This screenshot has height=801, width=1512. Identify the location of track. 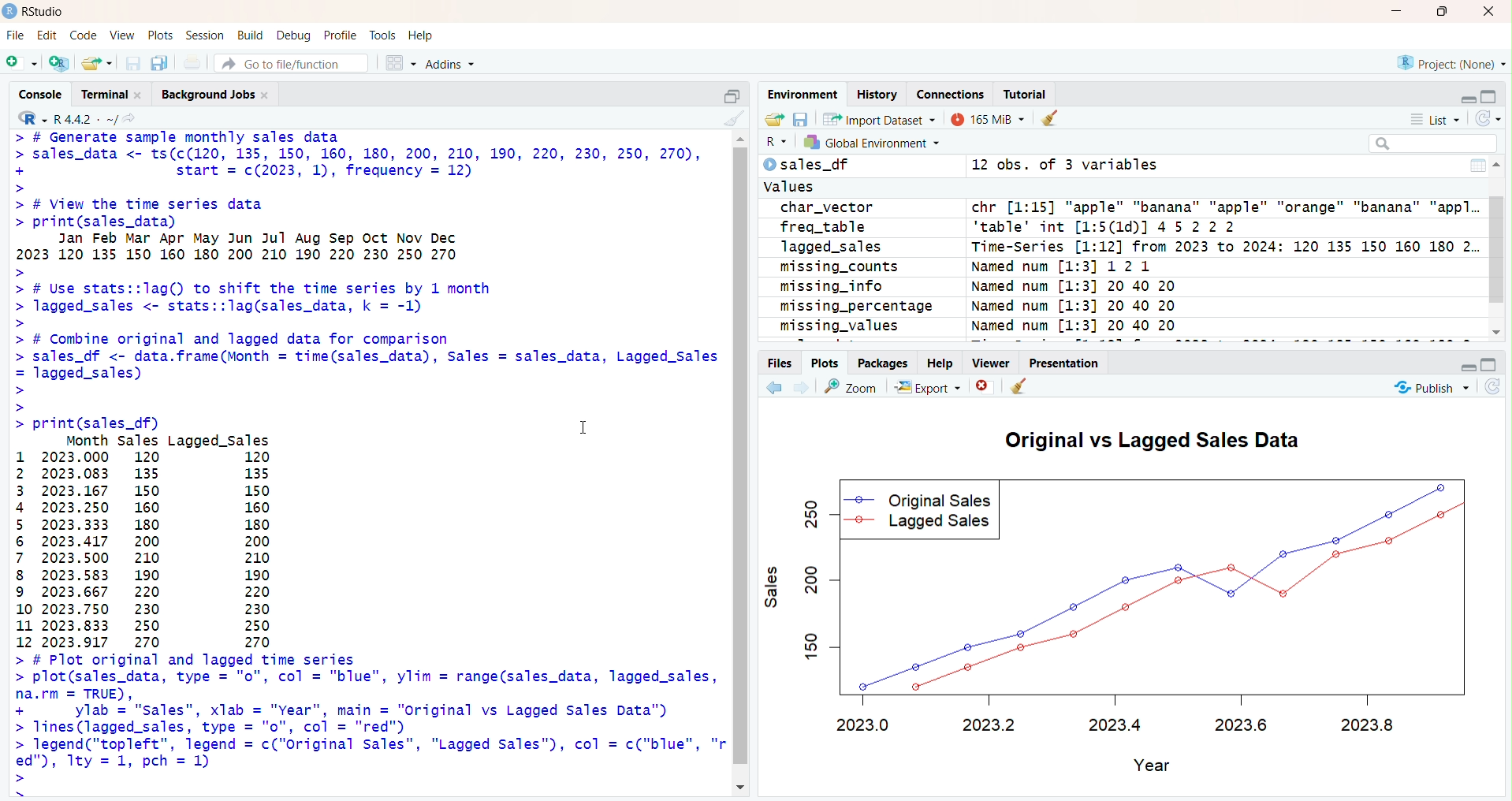
(384, 34).